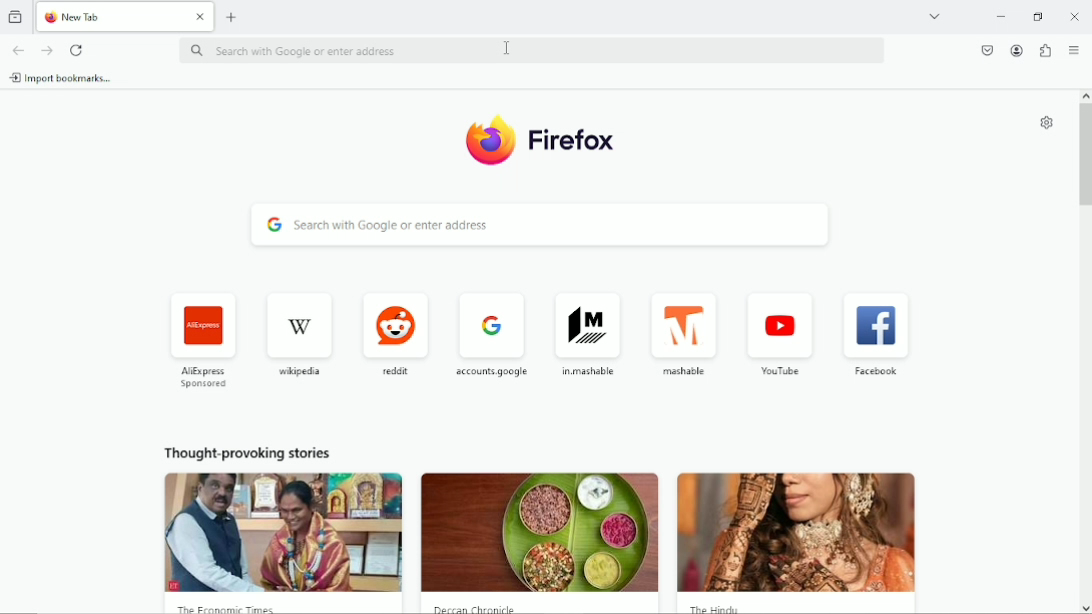 Image resolution: width=1092 pixels, height=614 pixels. Describe the element at coordinates (590, 330) in the screenshot. I see `in.mashable` at that location.